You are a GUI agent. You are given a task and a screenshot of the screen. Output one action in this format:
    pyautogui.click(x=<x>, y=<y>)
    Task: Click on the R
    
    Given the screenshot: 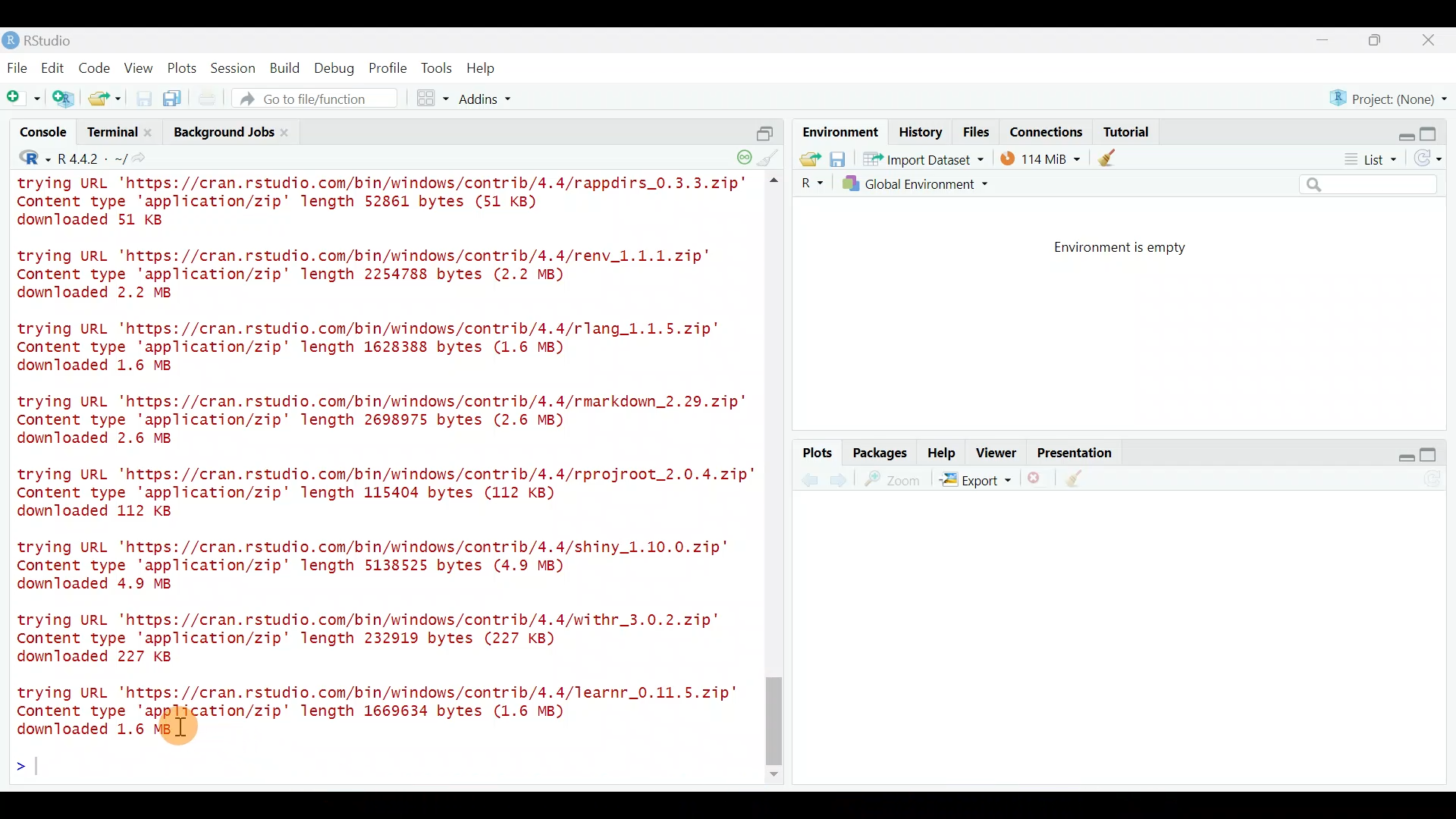 What is the action you would take?
    pyautogui.click(x=24, y=160)
    